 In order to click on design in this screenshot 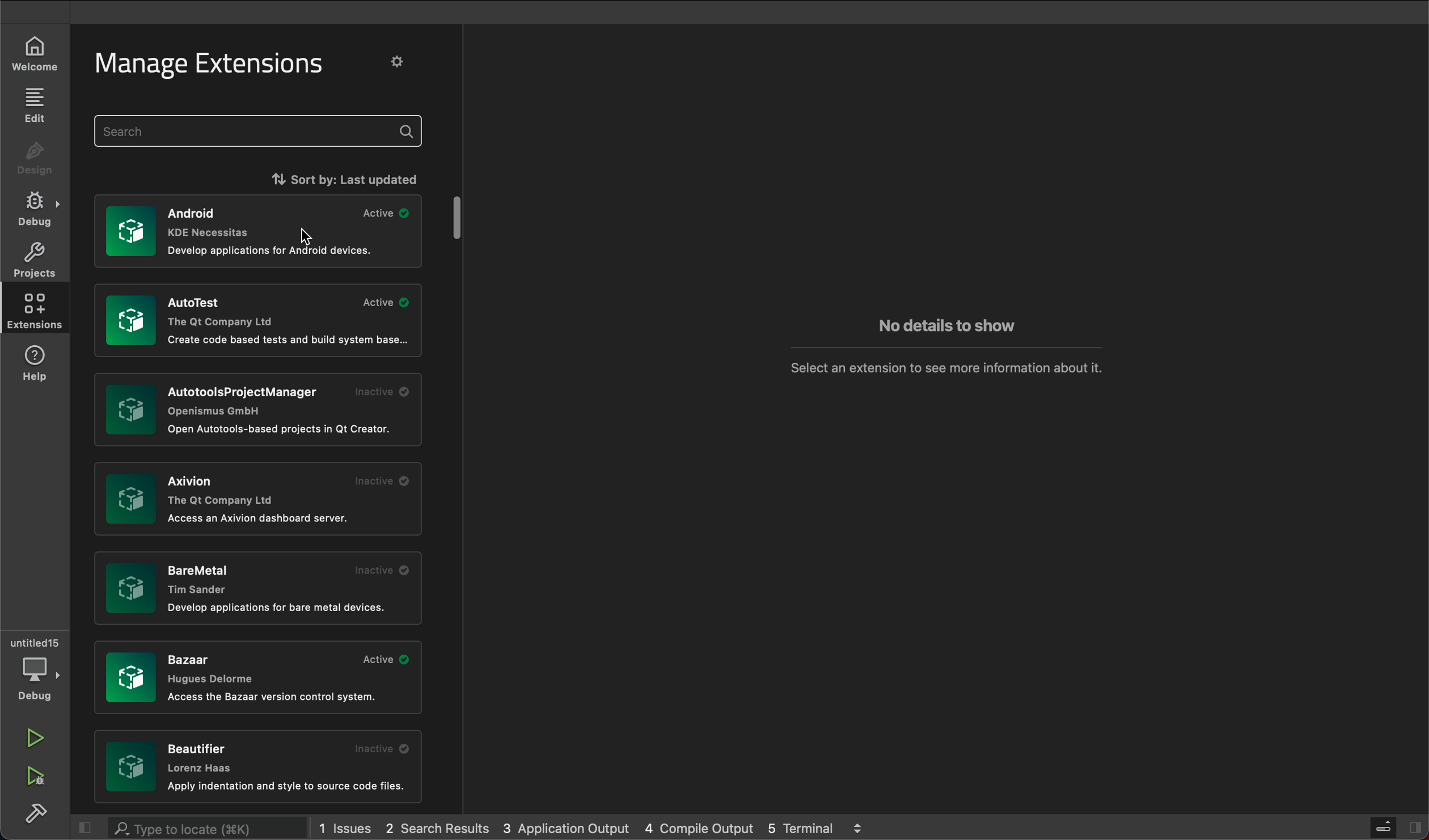, I will do `click(33, 160)`.